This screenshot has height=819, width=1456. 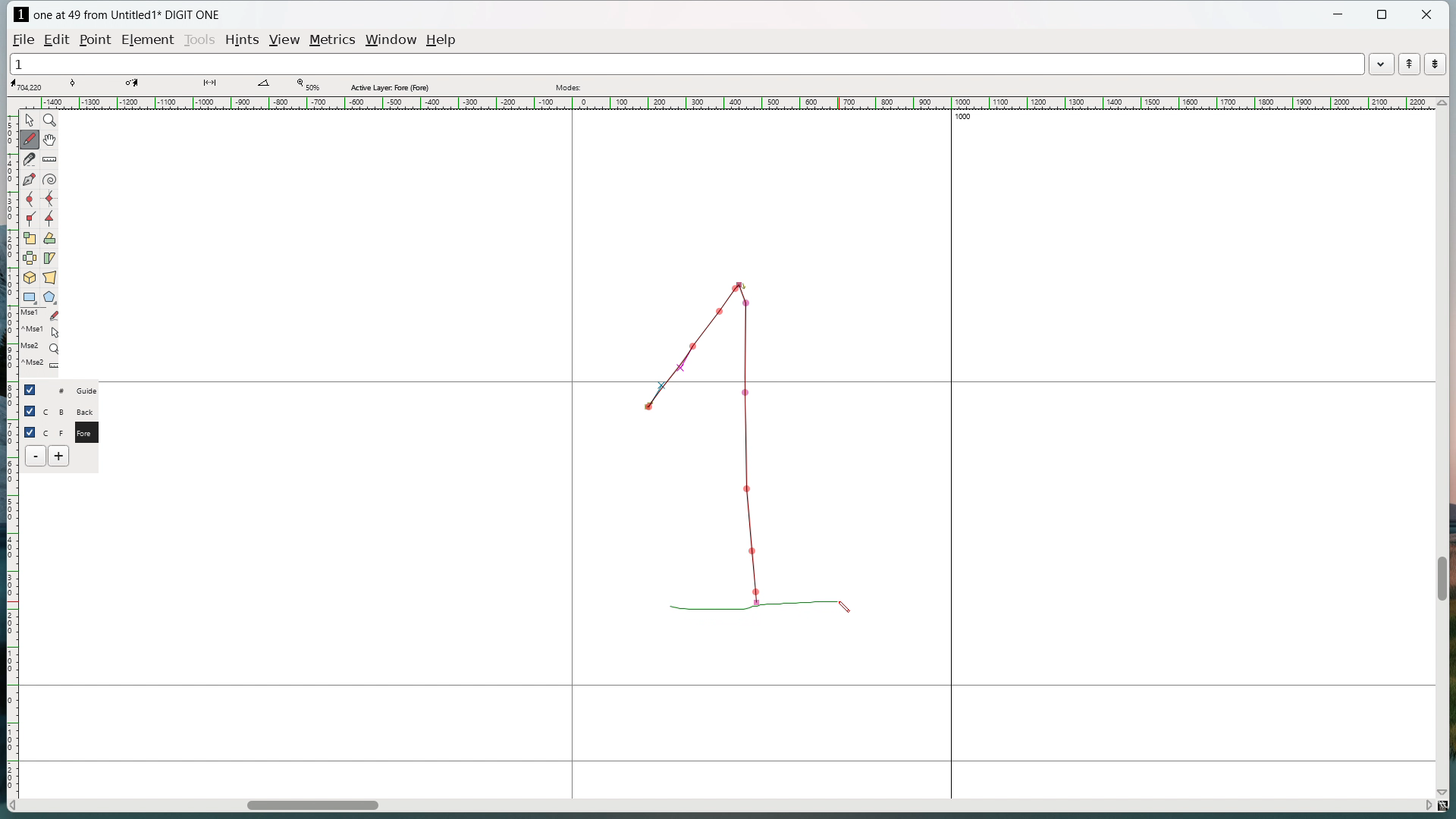 What do you see at coordinates (393, 39) in the screenshot?
I see `window` at bounding box center [393, 39].